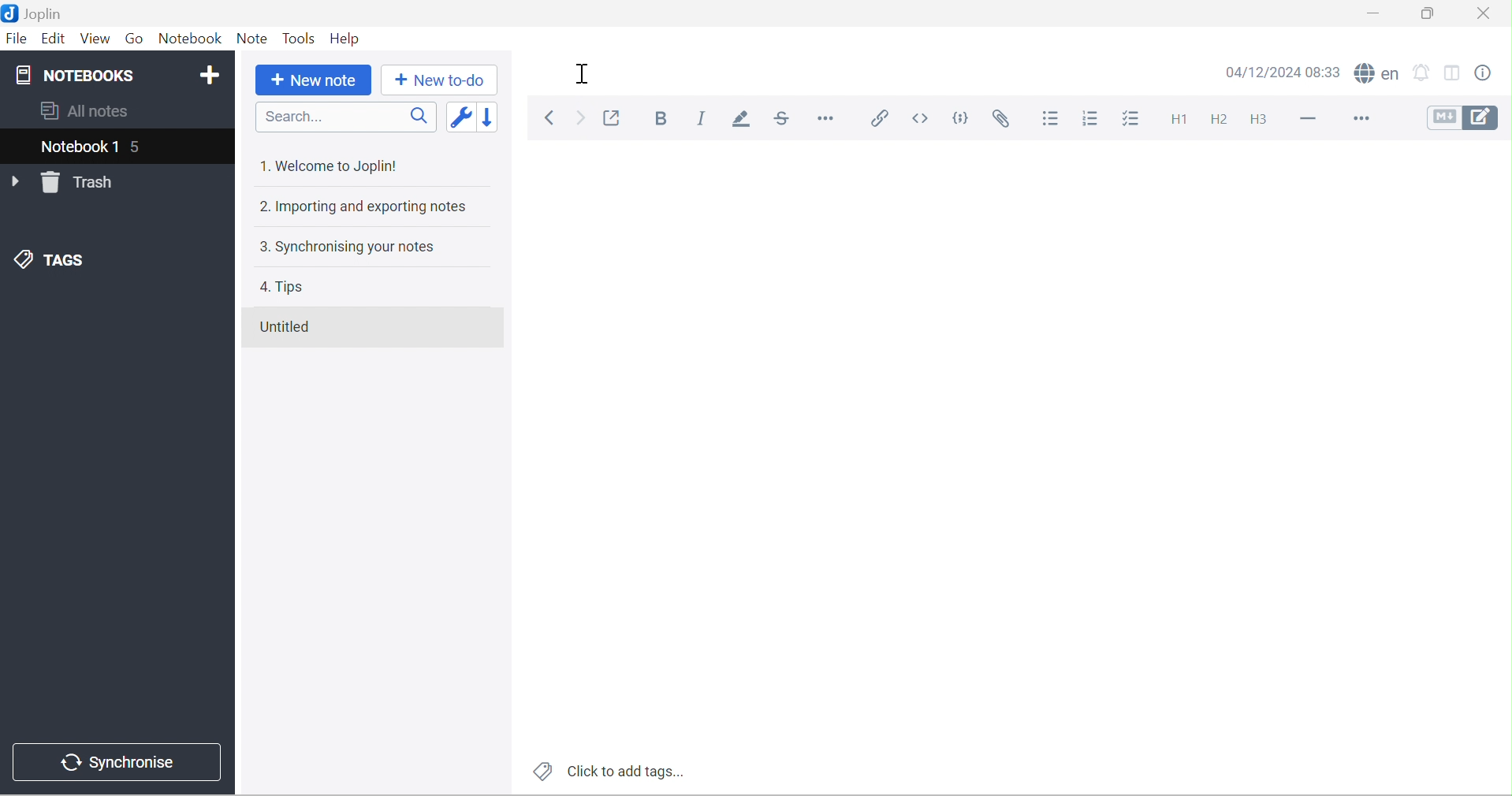  Describe the element at coordinates (80, 73) in the screenshot. I see `NOTEBOOKS` at that location.